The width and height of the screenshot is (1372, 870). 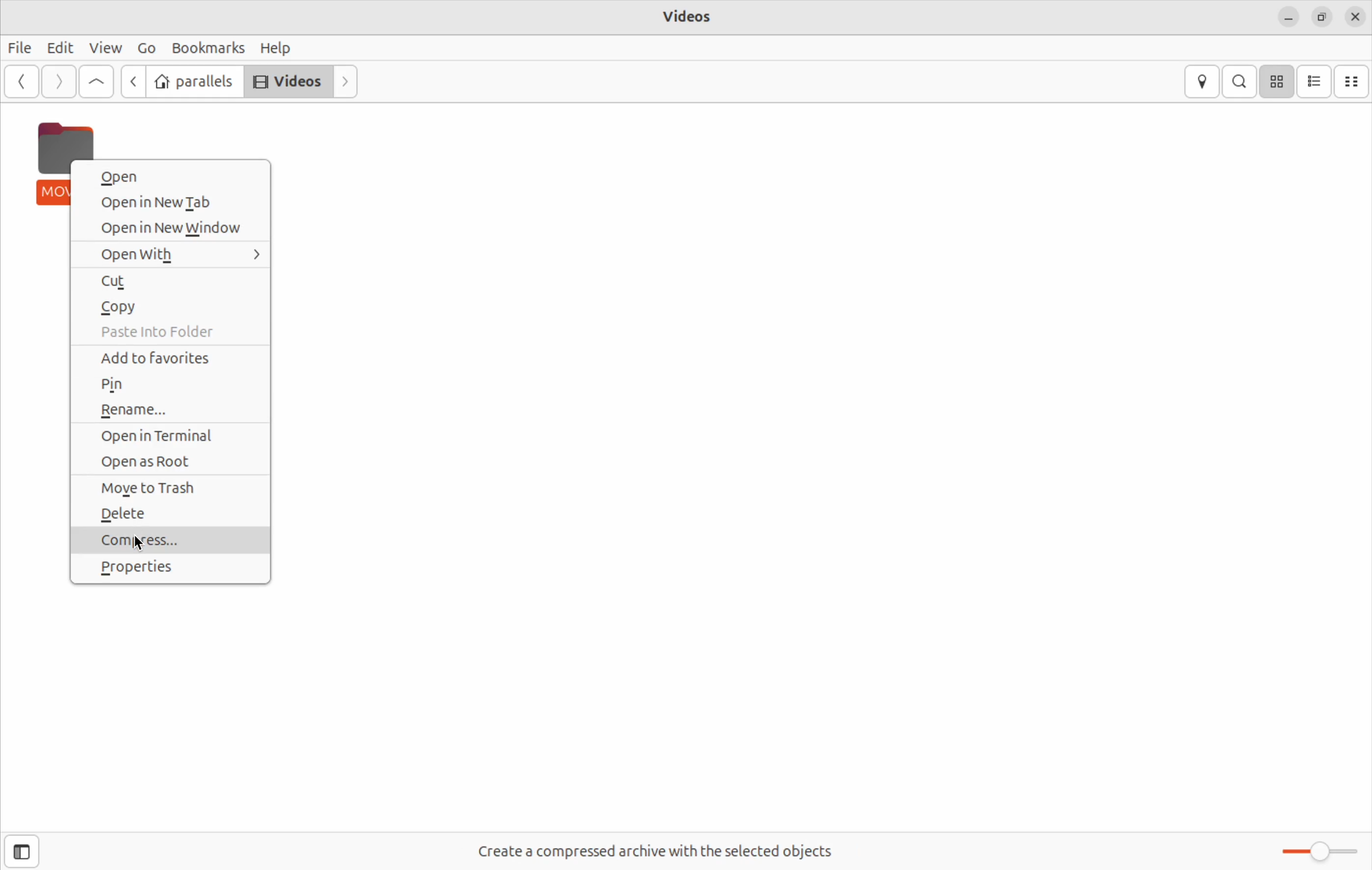 What do you see at coordinates (176, 253) in the screenshot?
I see `open with` at bounding box center [176, 253].